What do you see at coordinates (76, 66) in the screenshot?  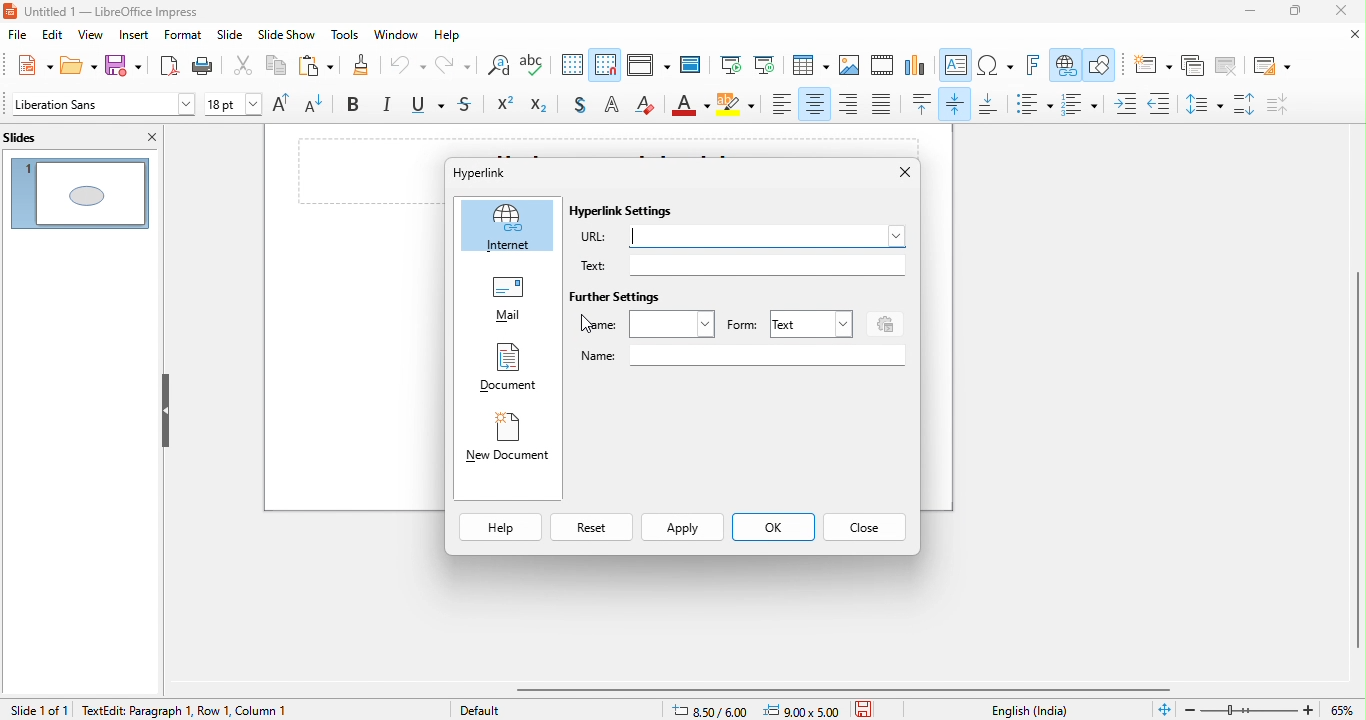 I see `open` at bounding box center [76, 66].